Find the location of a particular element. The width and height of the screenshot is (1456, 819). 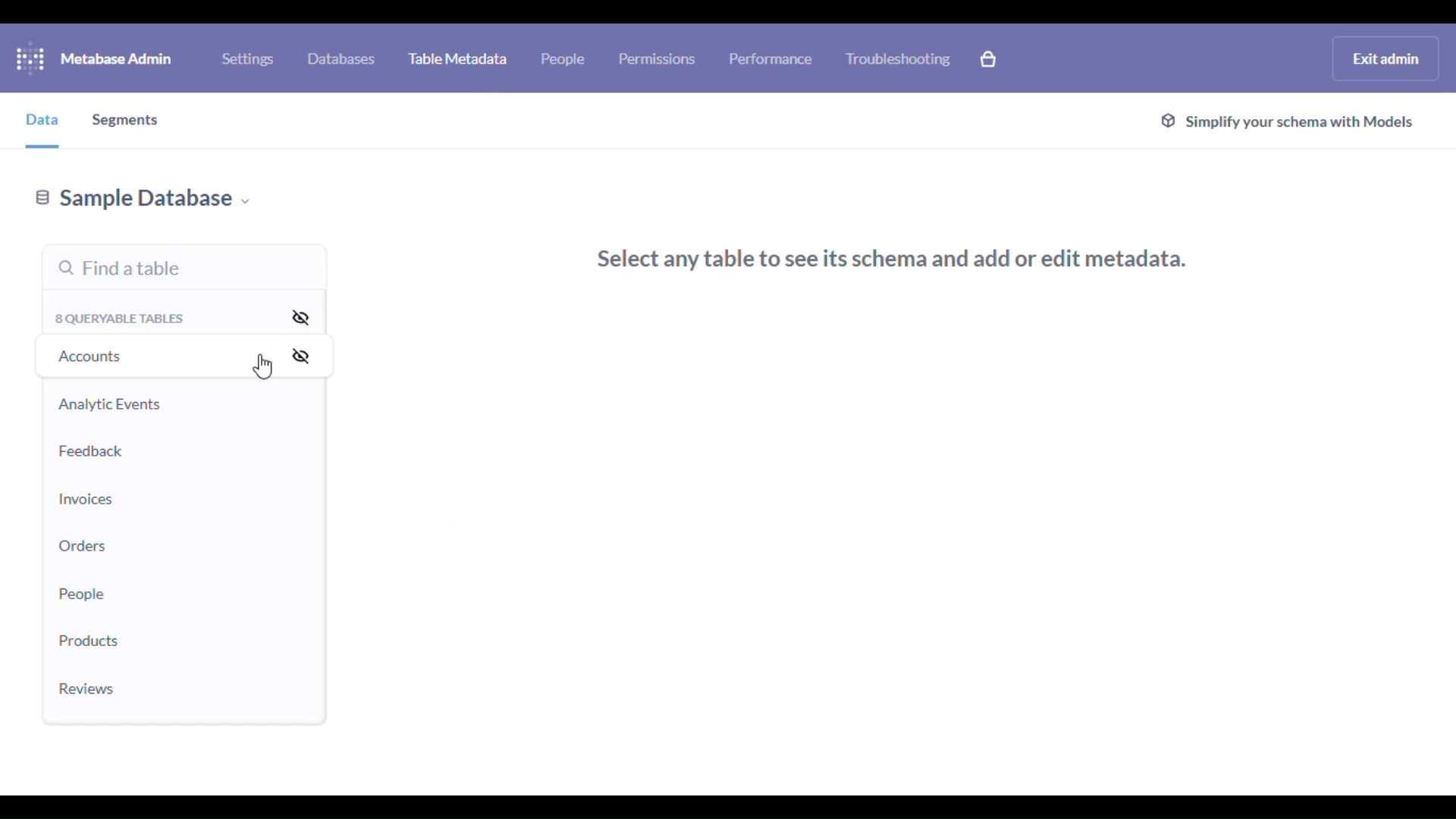

analytic events is located at coordinates (110, 404).